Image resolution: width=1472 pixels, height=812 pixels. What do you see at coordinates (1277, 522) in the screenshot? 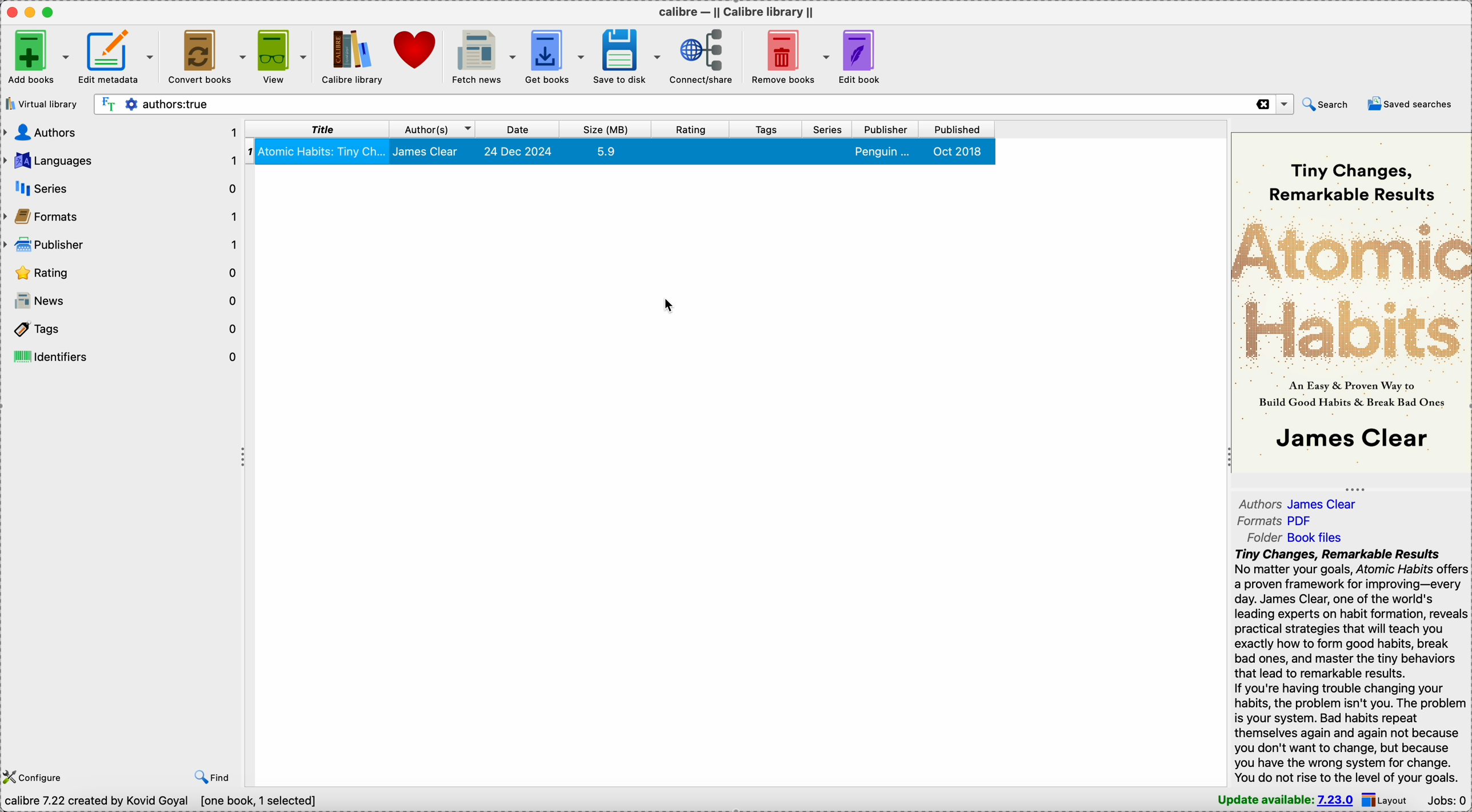
I see `formats PDF` at bounding box center [1277, 522].